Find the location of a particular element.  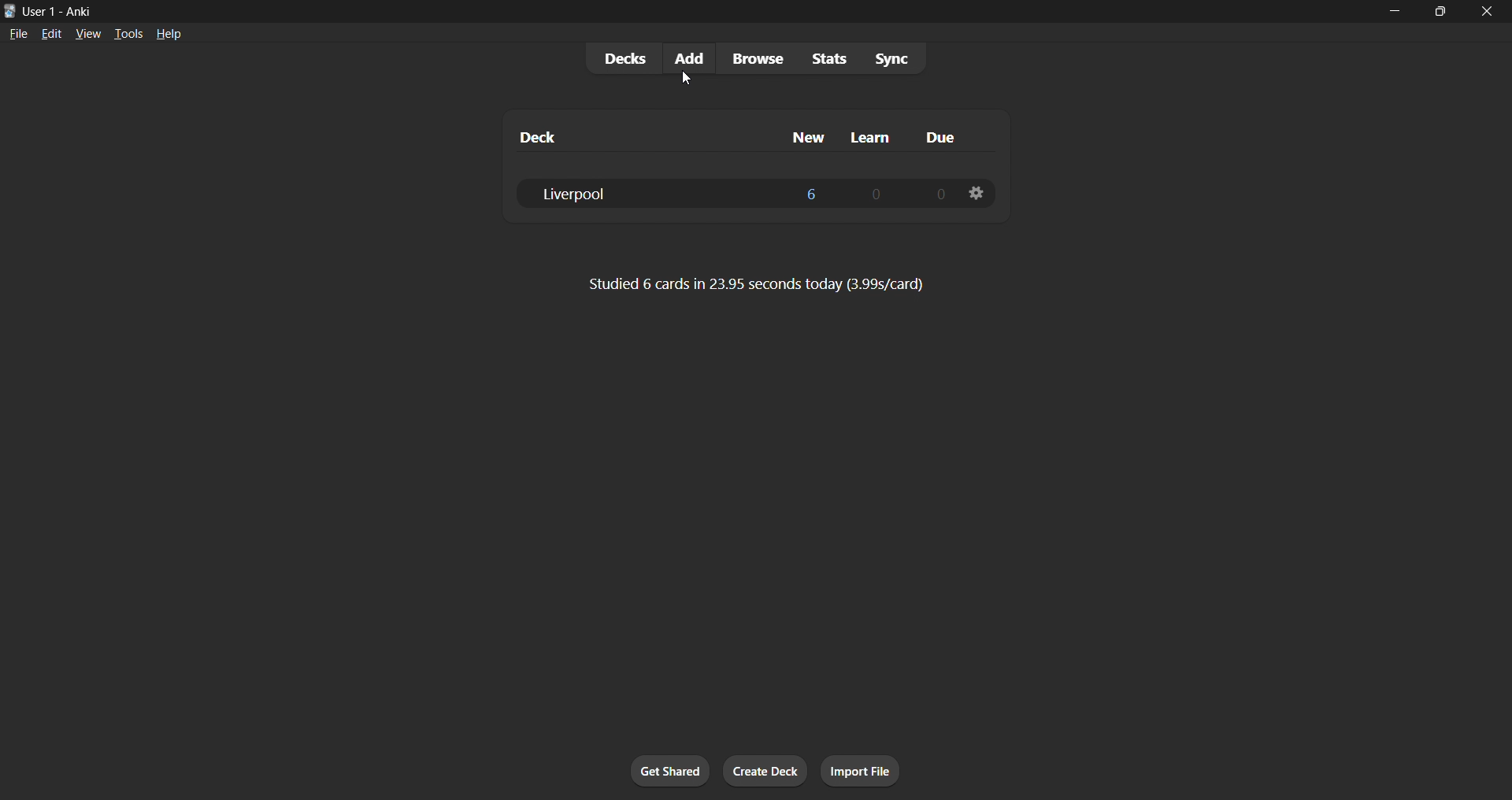

import file is located at coordinates (860, 771).